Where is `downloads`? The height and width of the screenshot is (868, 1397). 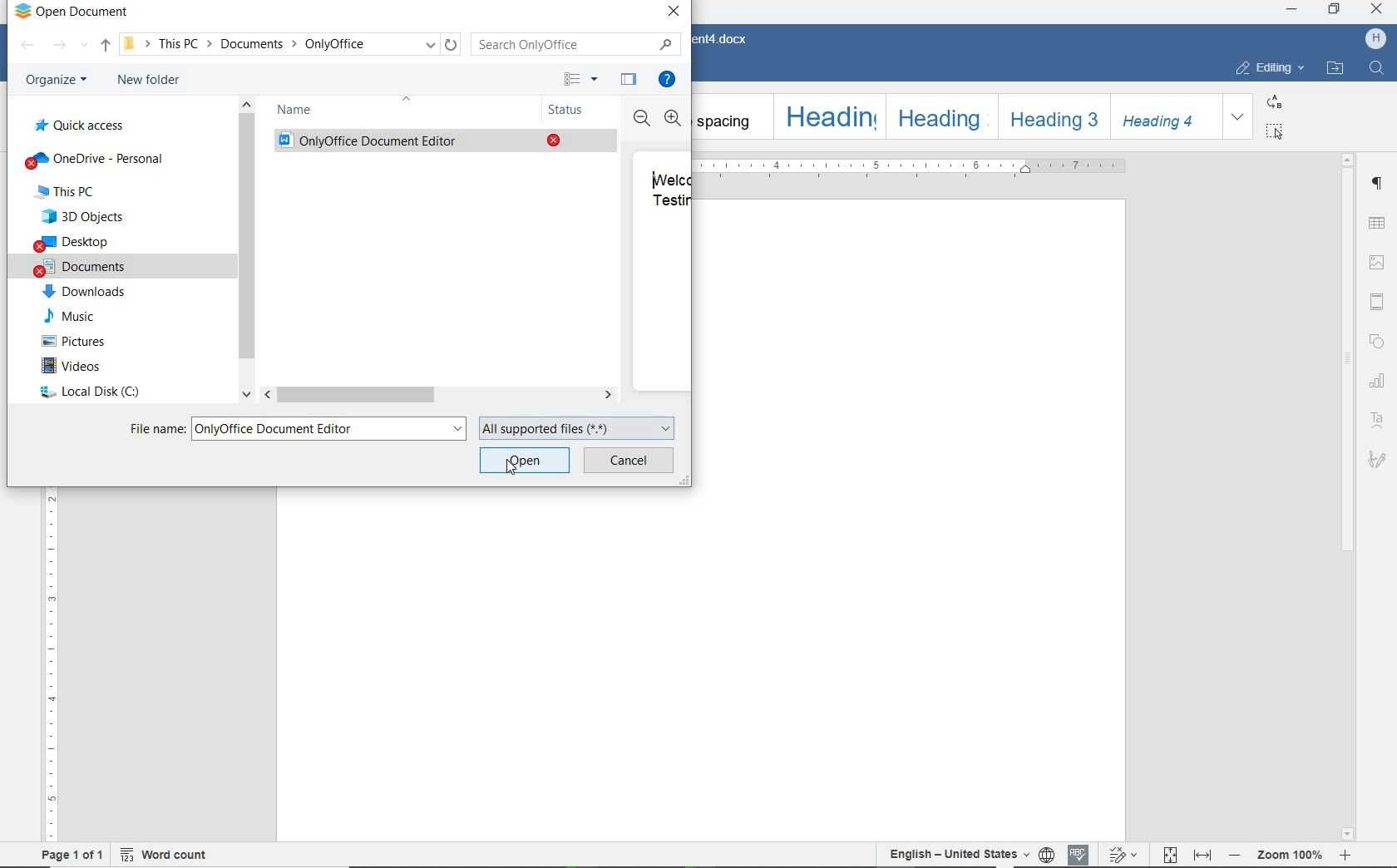
downloads is located at coordinates (77, 293).